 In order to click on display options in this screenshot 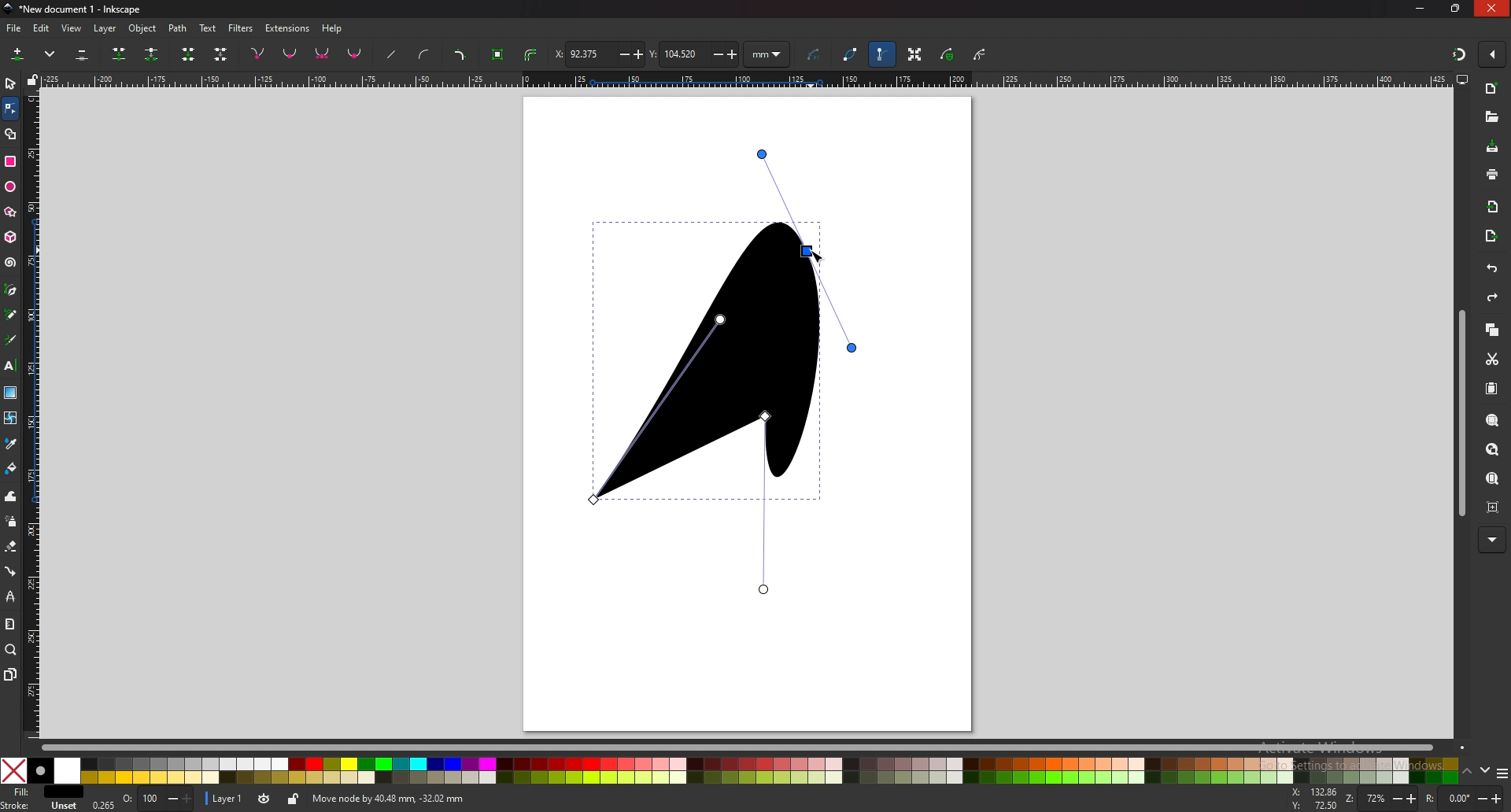, I will do `click(1463, 79)`.